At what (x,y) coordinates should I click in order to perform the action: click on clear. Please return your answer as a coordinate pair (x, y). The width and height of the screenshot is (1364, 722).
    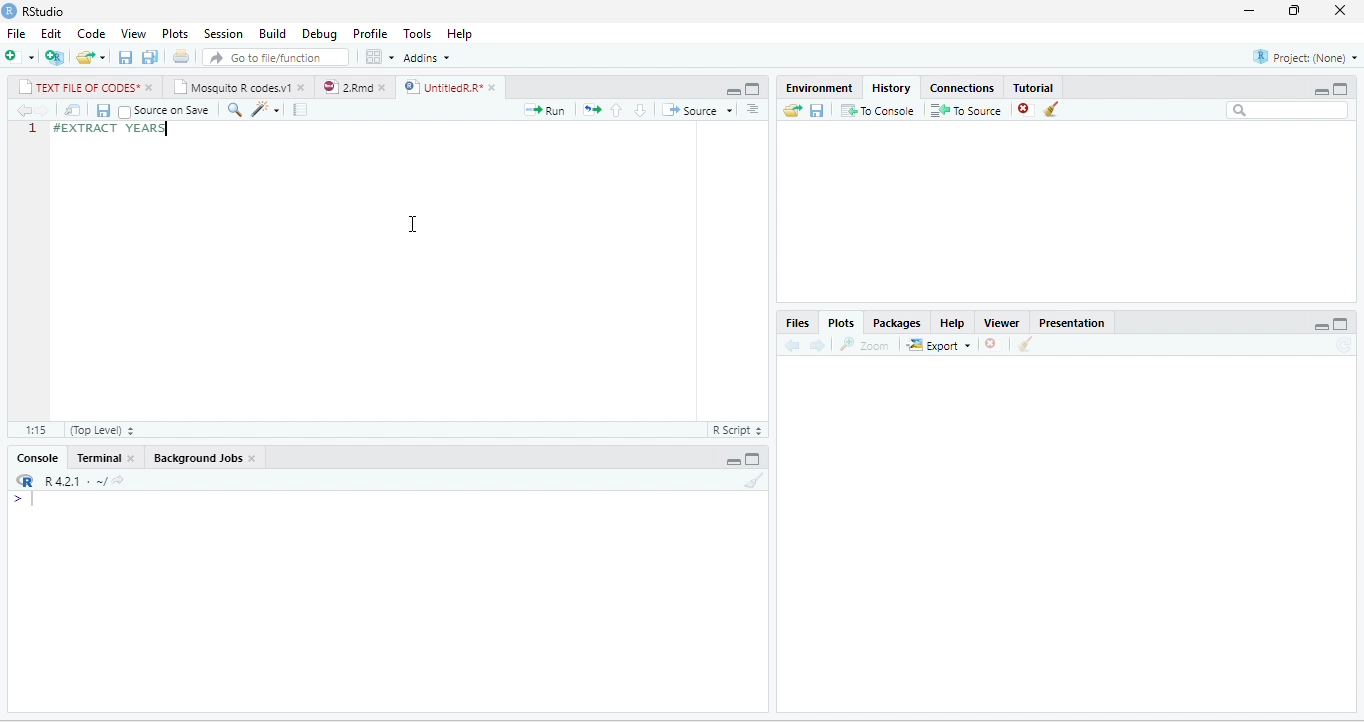
    Looking at the image, I should click on (1052, 109).